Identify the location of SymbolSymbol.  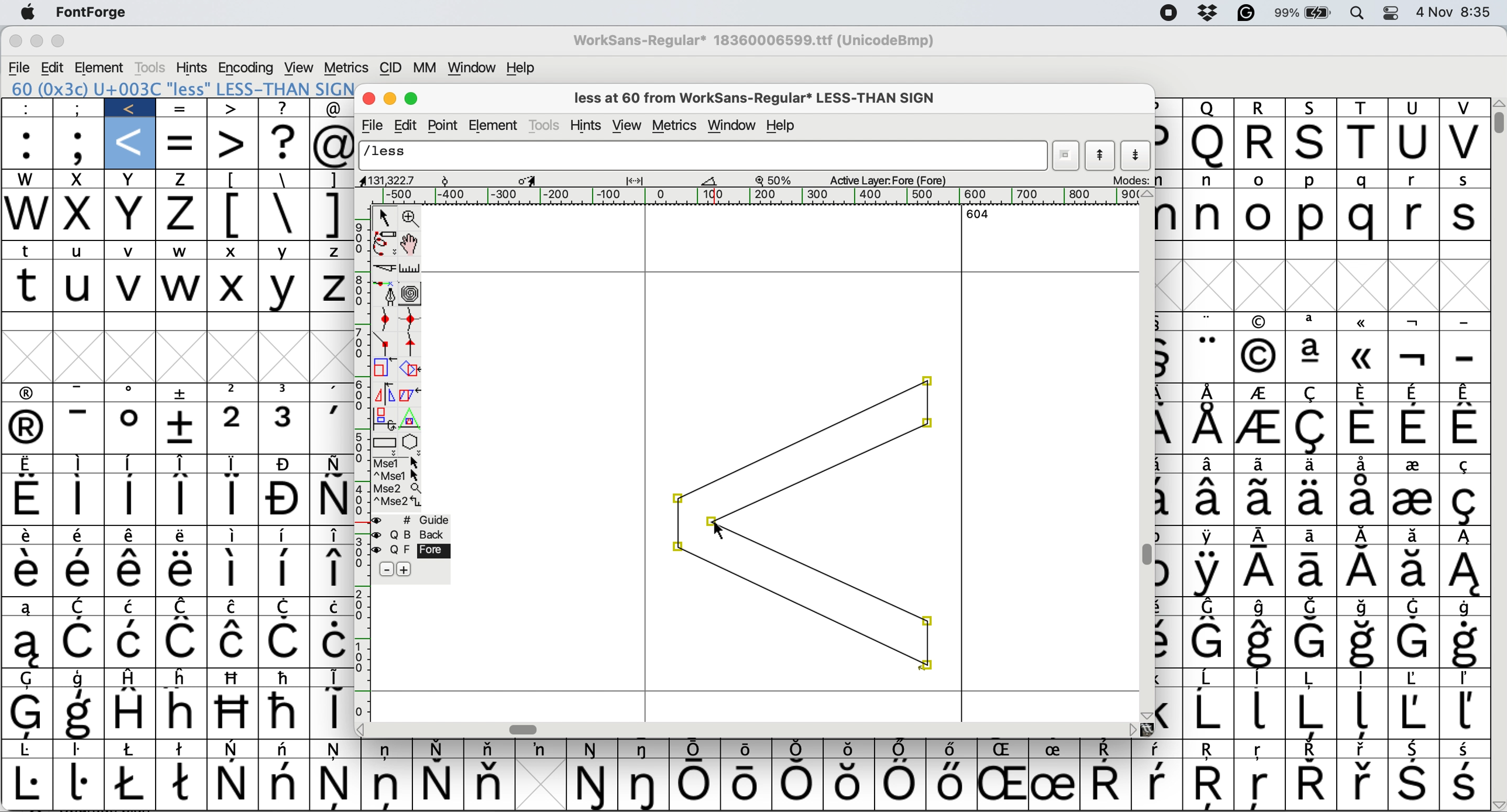
(1363, 643).